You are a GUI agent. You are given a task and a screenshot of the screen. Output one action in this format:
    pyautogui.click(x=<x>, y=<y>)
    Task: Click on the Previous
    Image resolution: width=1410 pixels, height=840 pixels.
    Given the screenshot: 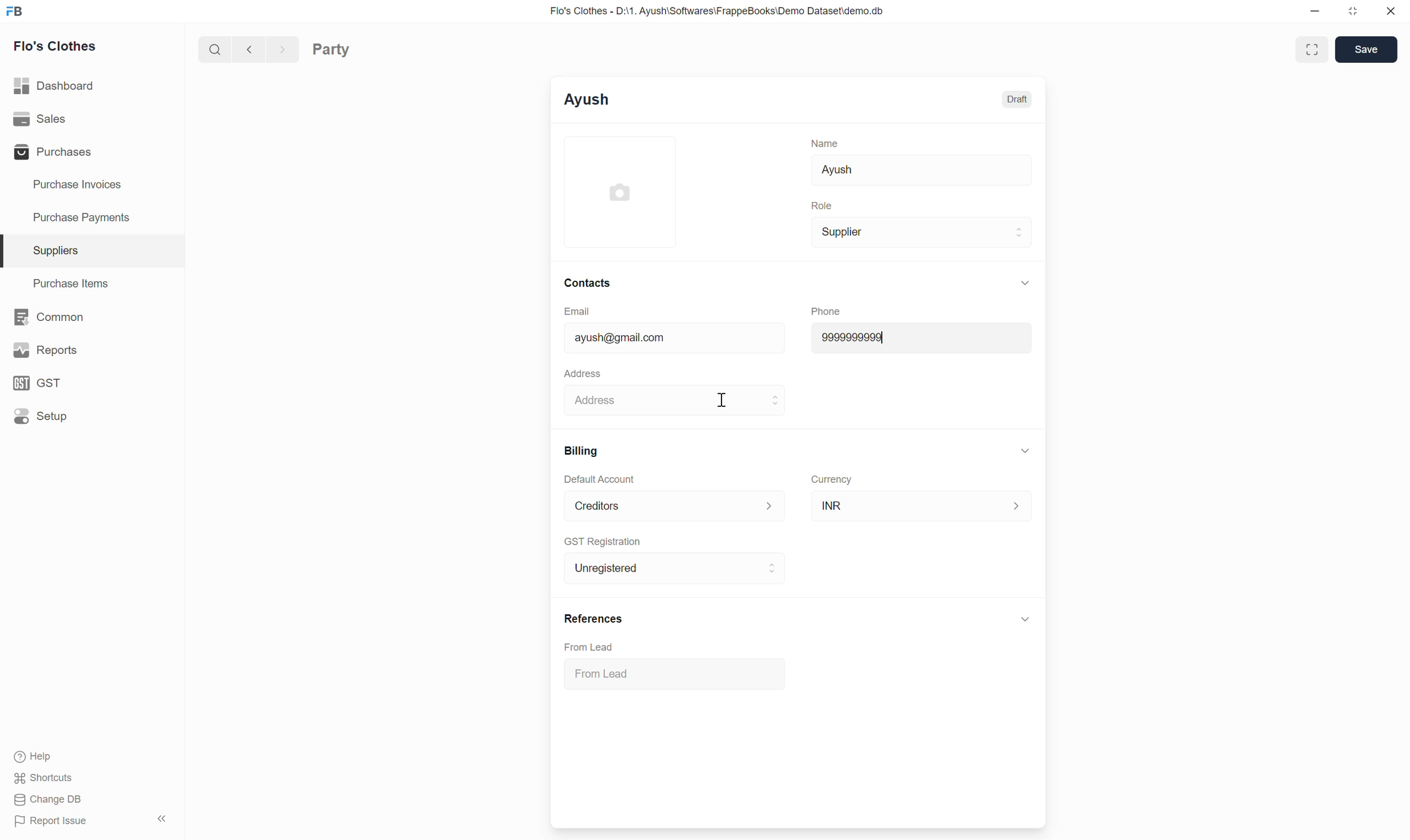 What is the action you would take?
    pyautogui.click(x=249, y=49)
    